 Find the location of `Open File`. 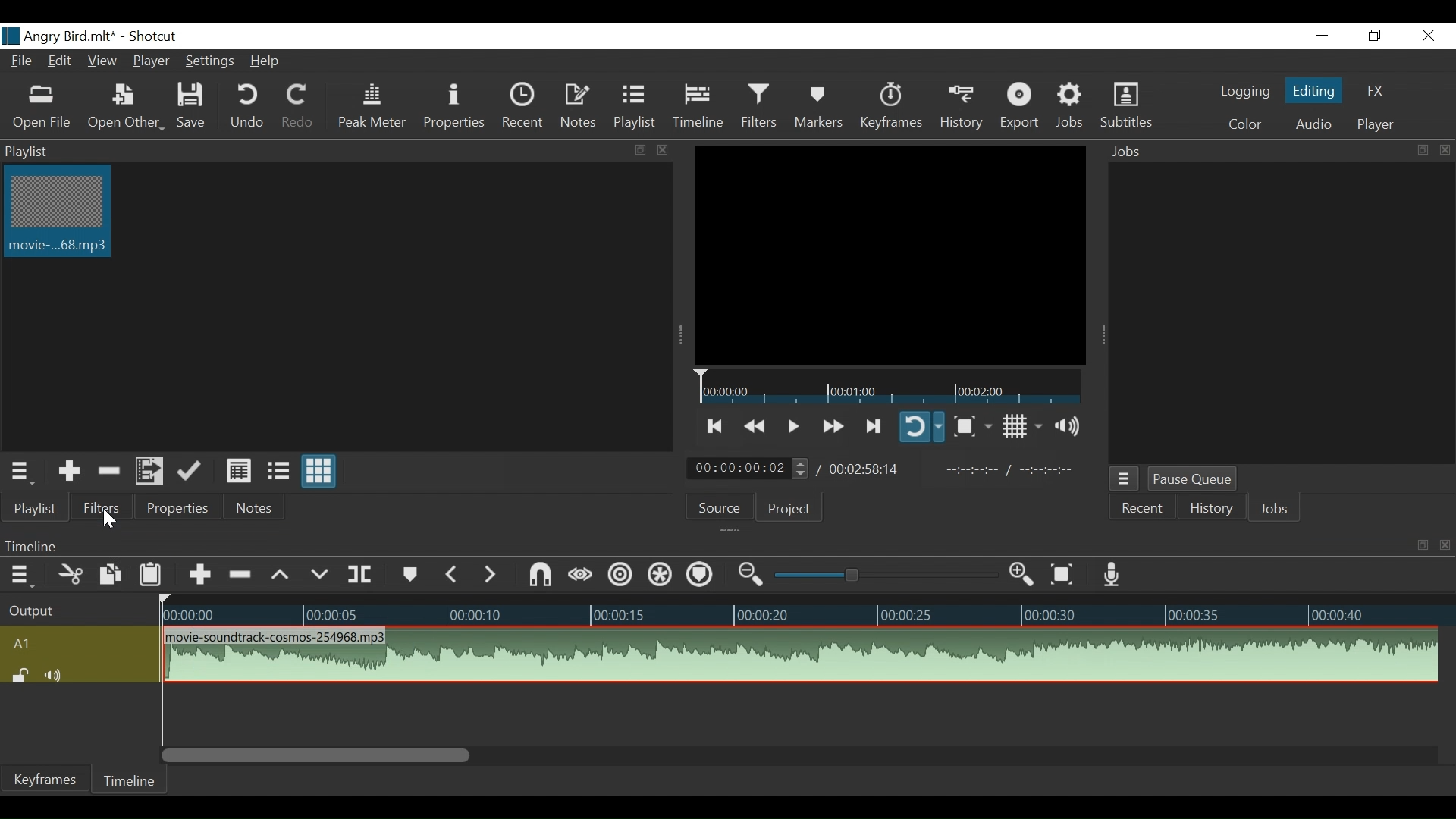

Open File is located at coordinates (42, 107).